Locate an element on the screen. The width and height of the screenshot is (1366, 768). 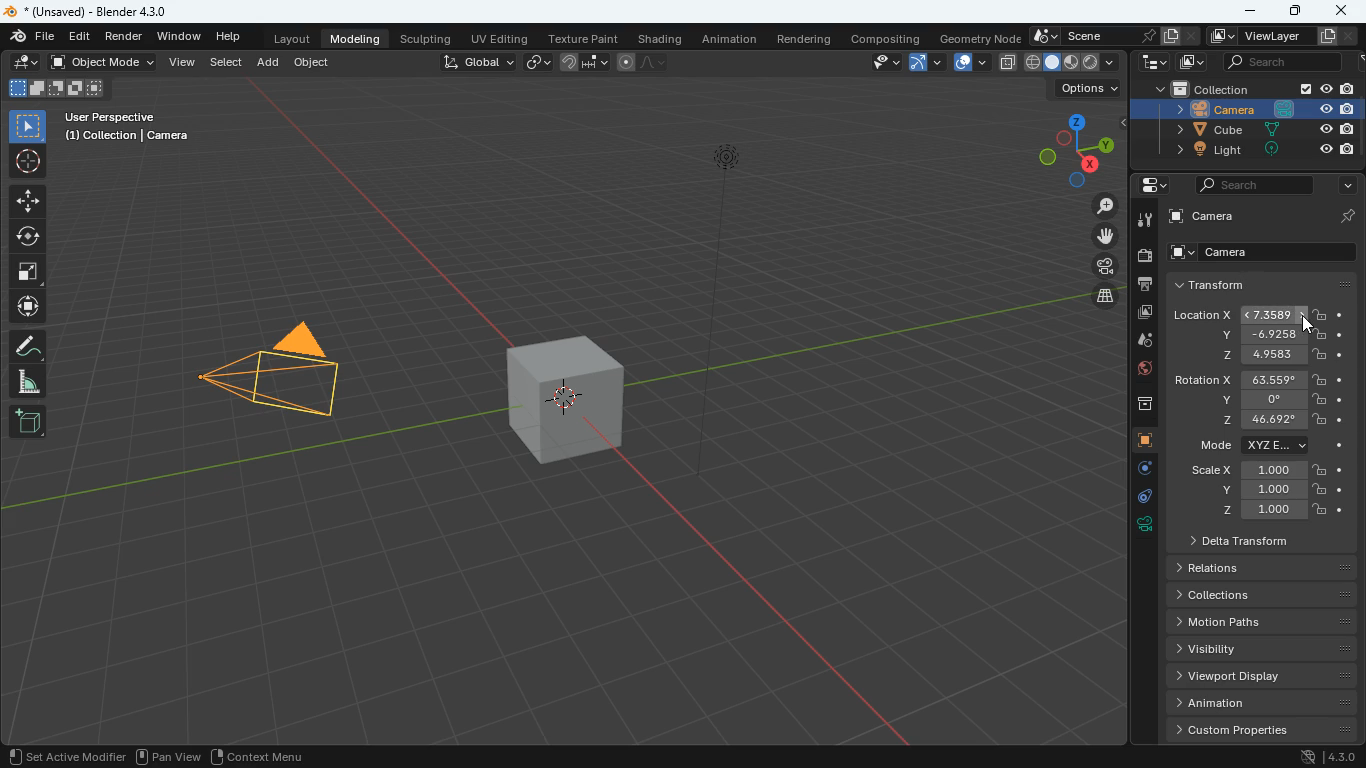
y is located at coordinates (1267, 401).